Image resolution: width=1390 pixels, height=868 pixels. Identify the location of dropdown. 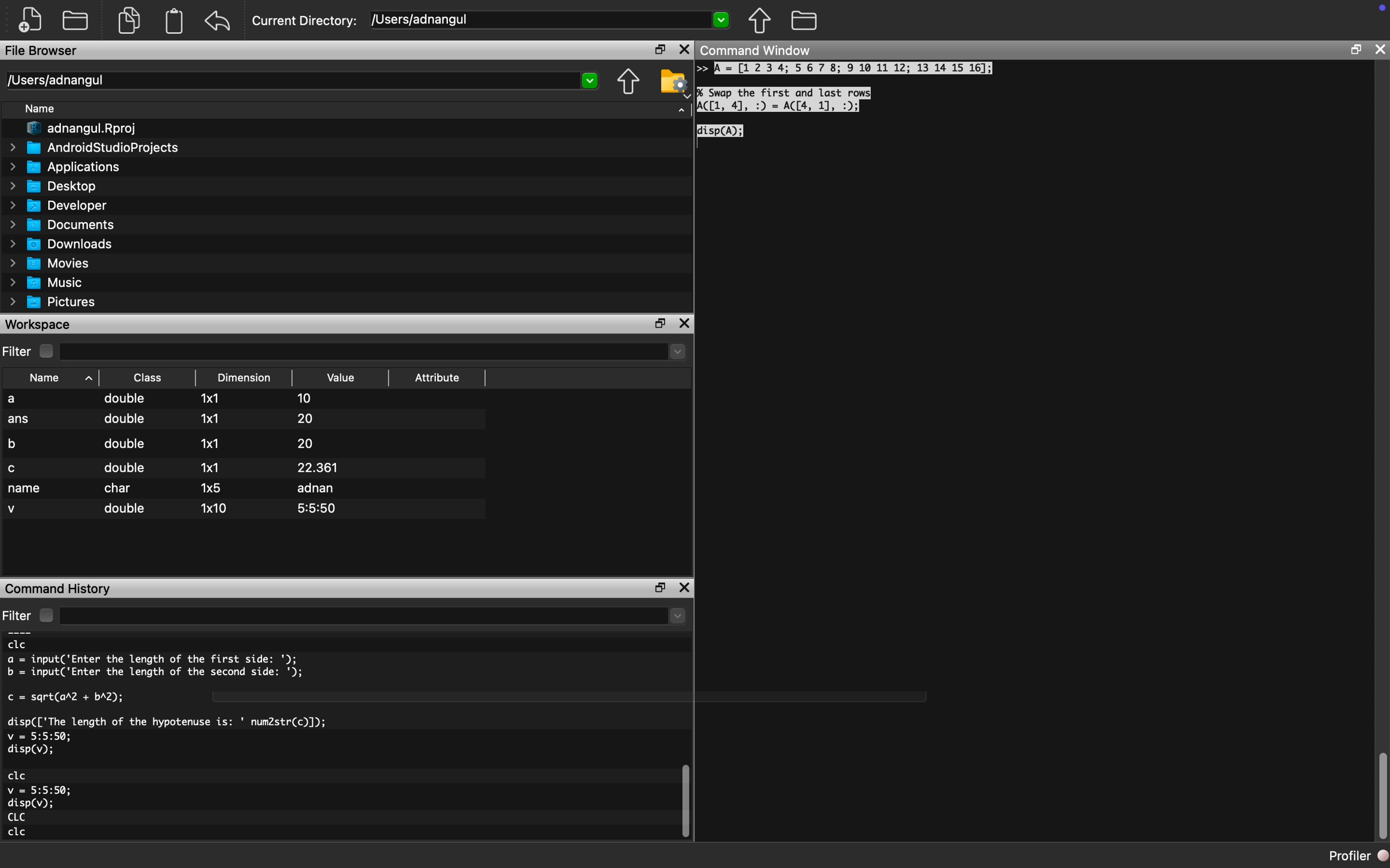
(590, 80).